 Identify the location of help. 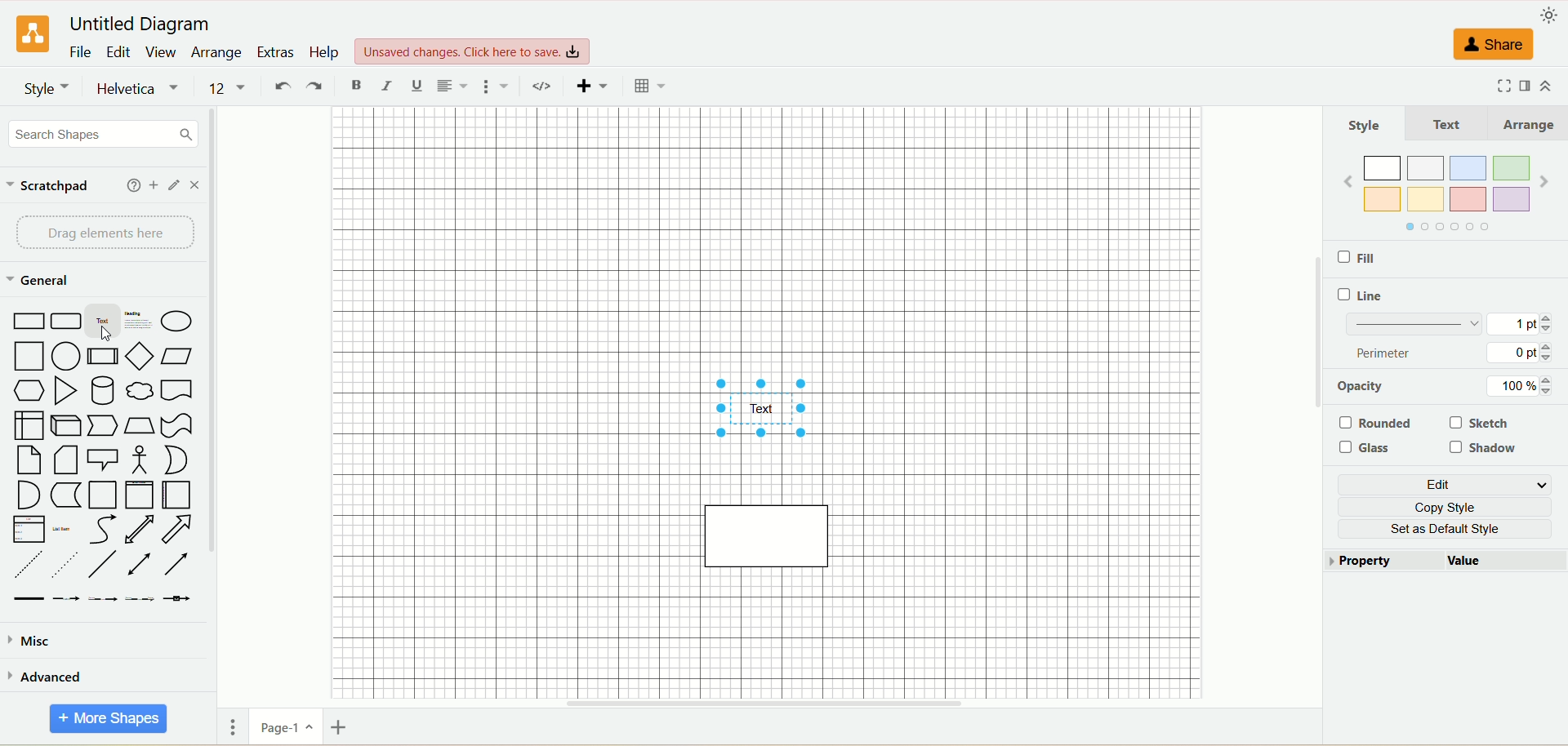
(128, 186).